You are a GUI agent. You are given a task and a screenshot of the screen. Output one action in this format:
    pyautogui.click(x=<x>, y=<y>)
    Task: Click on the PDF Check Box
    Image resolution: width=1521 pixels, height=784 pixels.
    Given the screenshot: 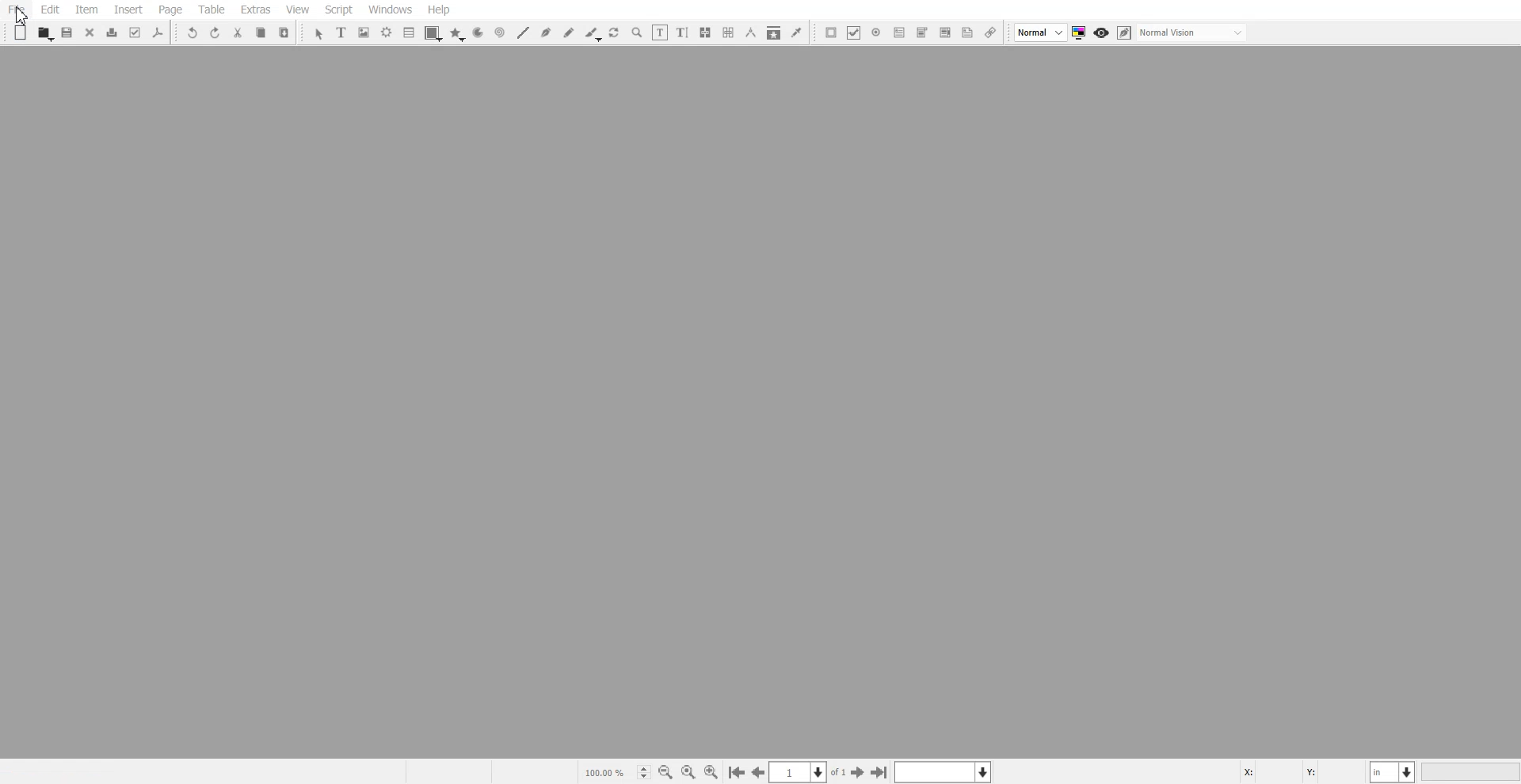 What is the action you would take?
    pyautogui.click(x=854, y=32)
    